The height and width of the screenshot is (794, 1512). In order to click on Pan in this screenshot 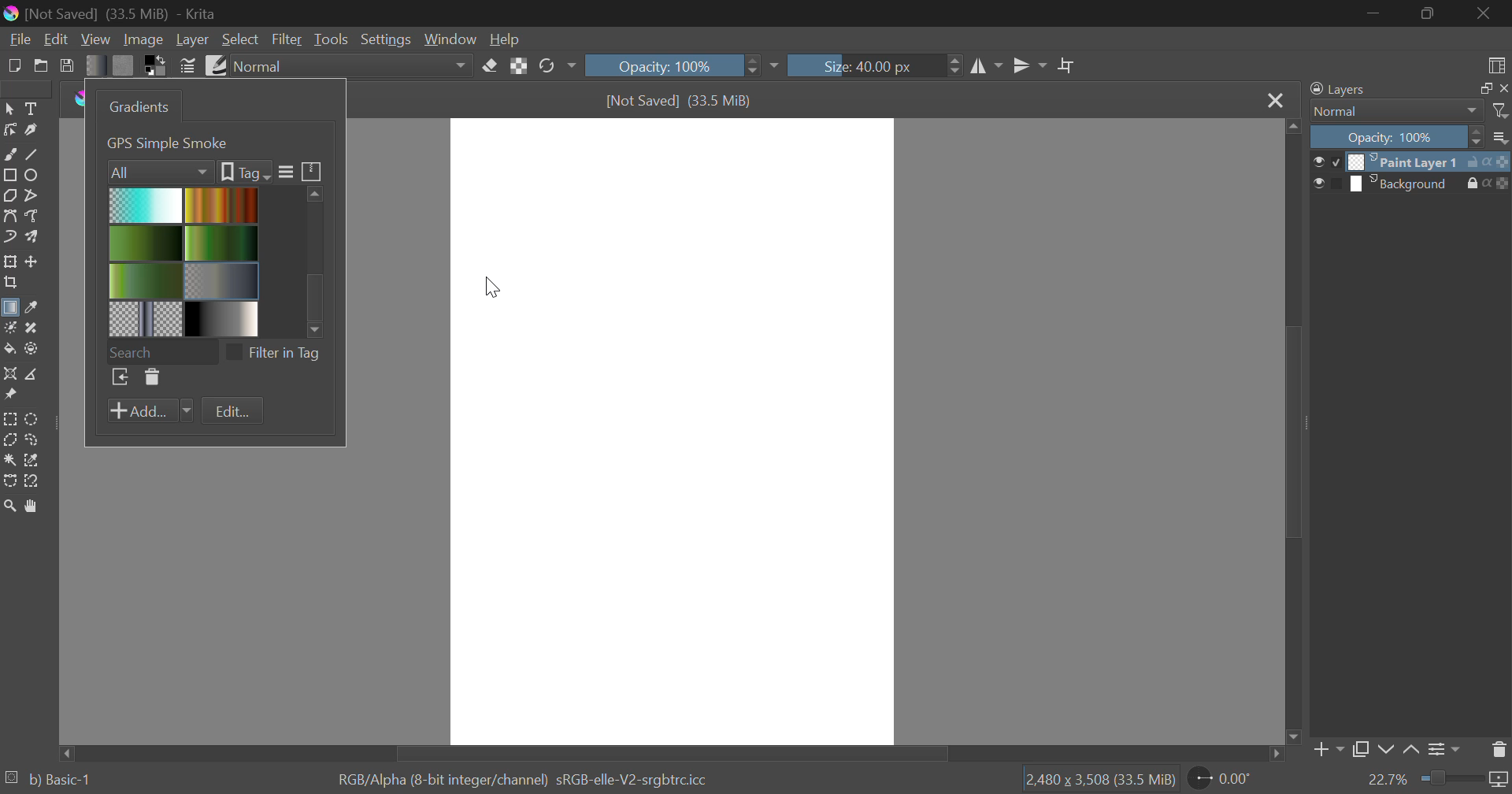, I will do `click(30, 506)`.